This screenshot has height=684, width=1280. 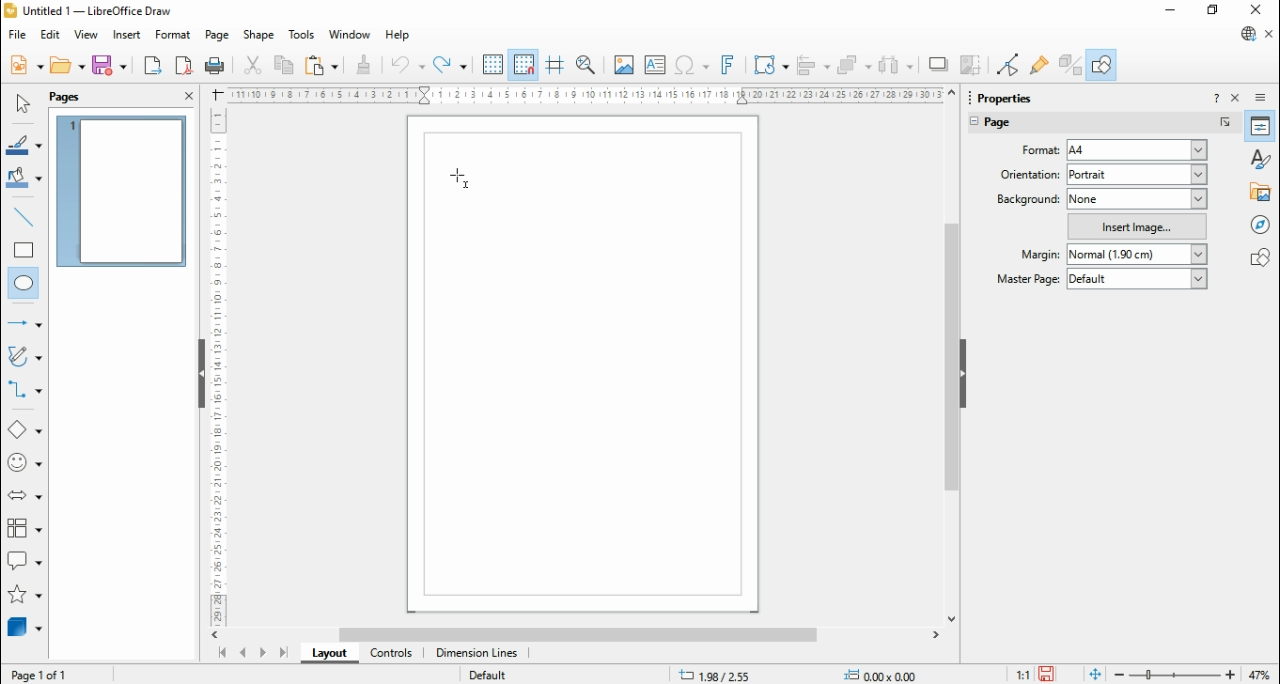 I want to click on insert text box, so click(x=654, y=64).